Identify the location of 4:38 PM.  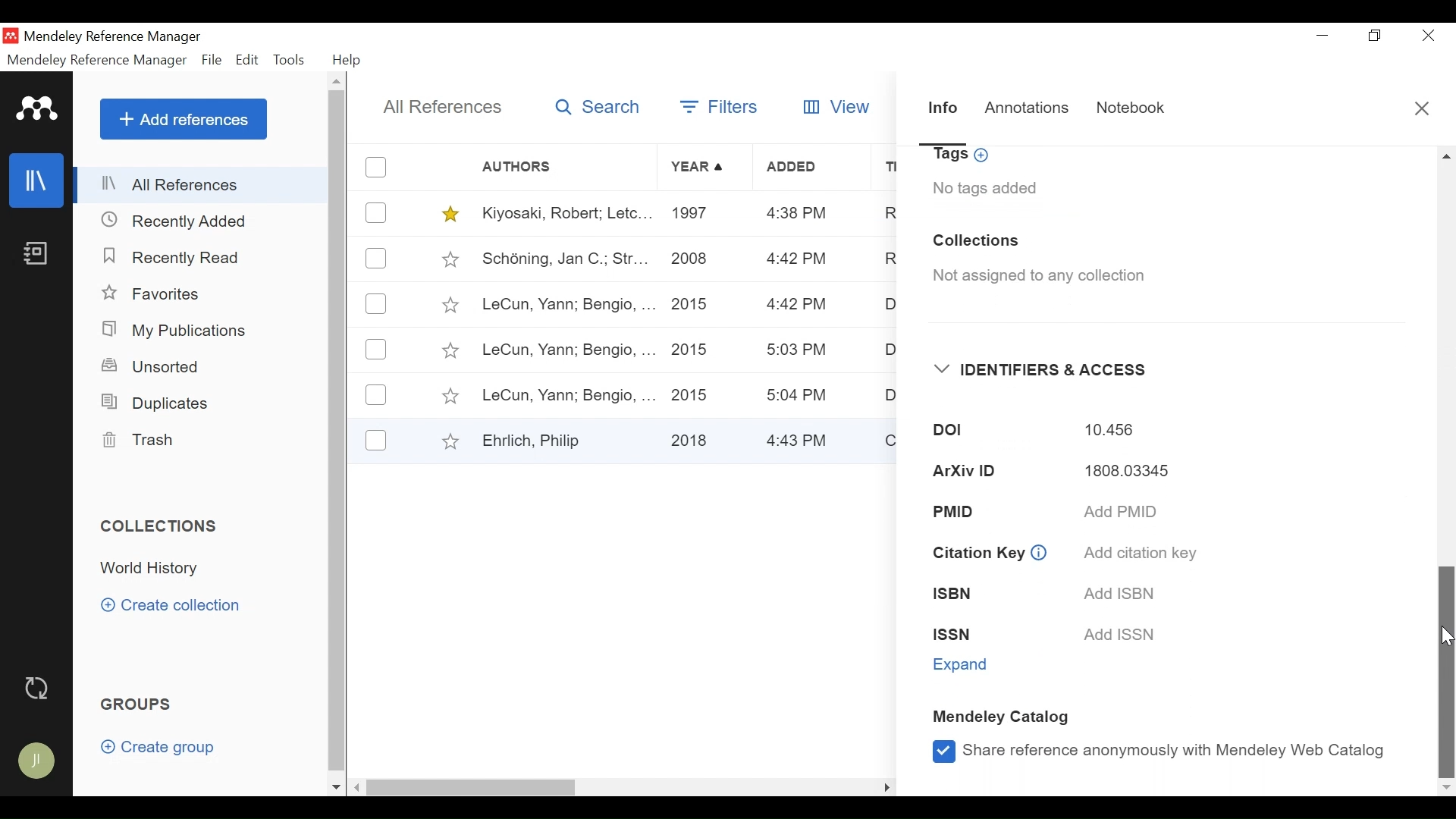
(798, 215).